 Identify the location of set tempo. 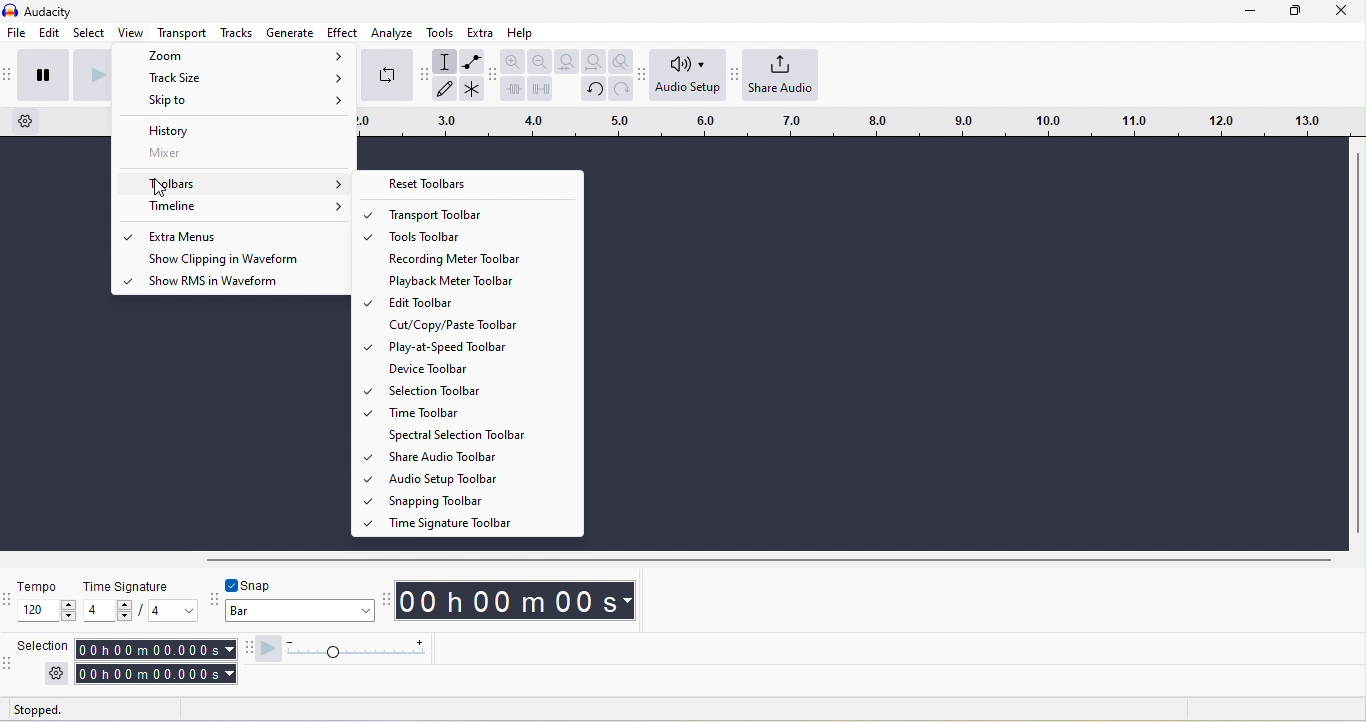
(46, 610).